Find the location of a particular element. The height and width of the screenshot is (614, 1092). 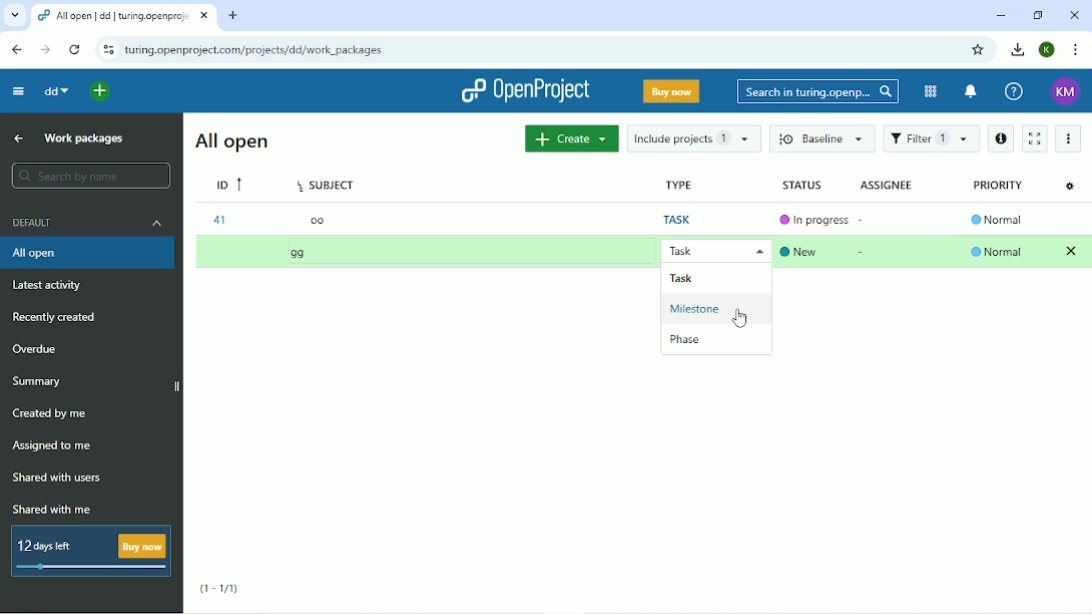

Shared with me is located at coordinates (51, 510).